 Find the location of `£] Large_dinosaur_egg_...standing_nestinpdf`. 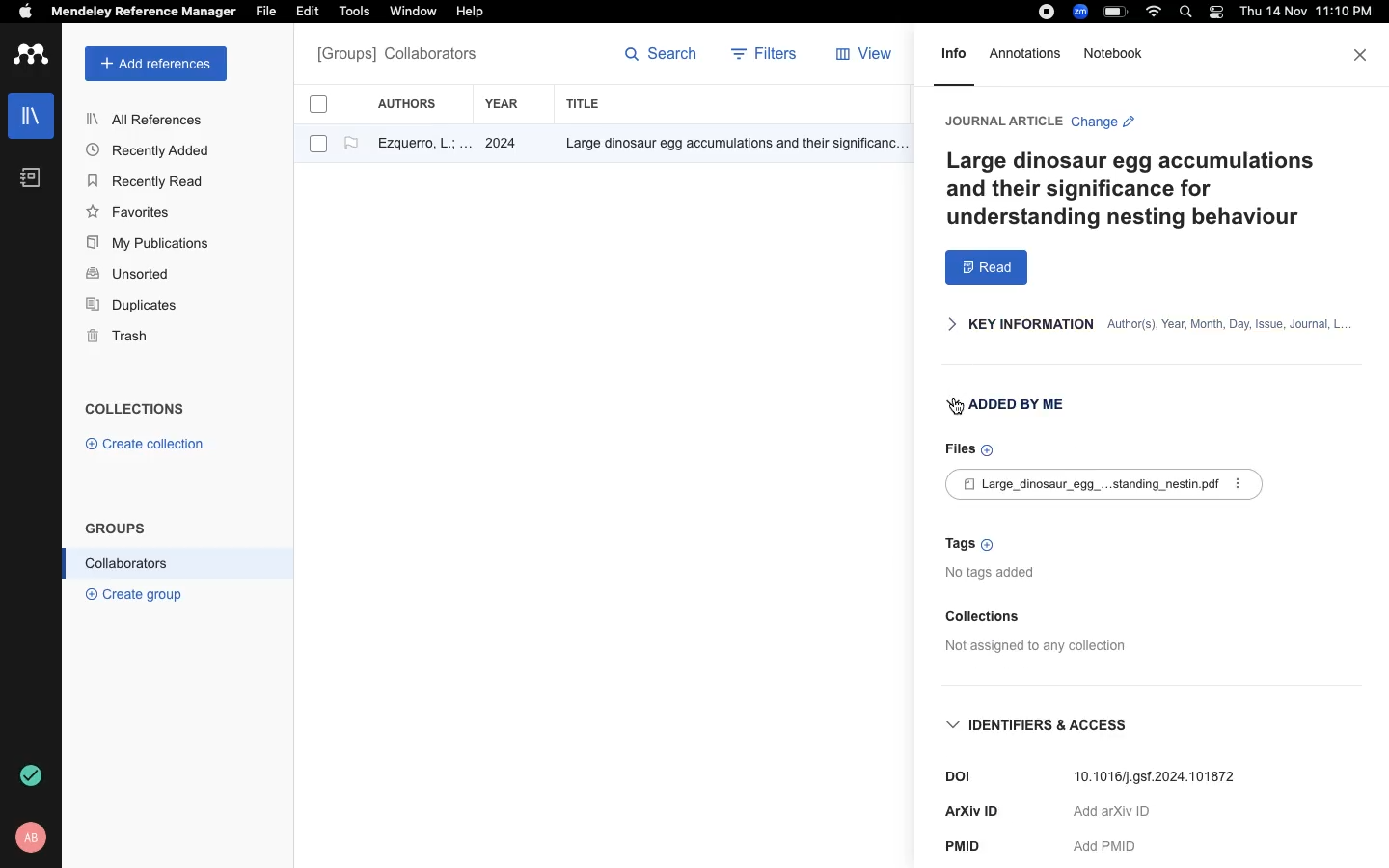

£] Large_dinosaur_egg_...standing_nestinpdf is located at coordinates (1102, 485).